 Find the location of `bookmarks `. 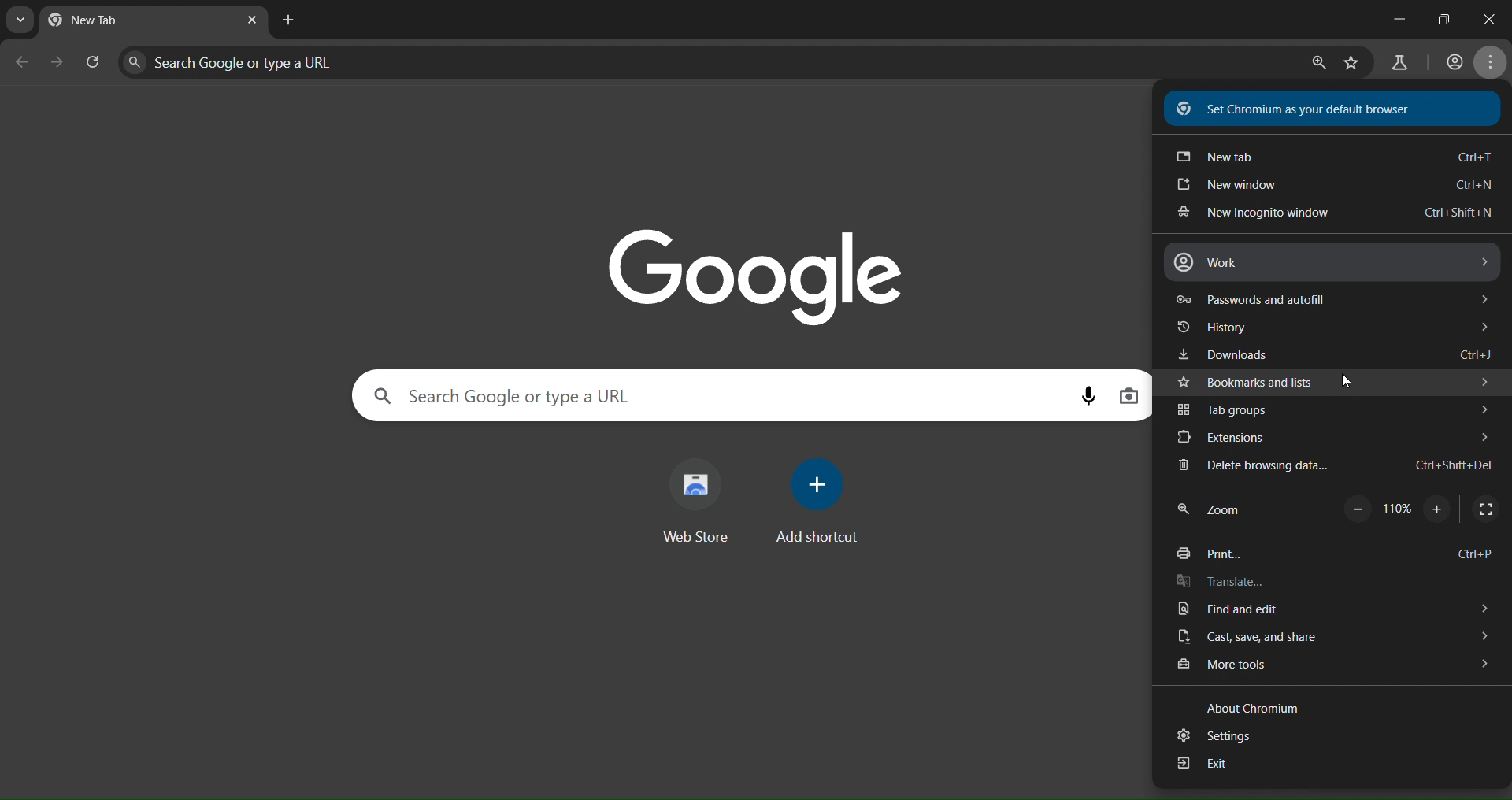

bookmarks  is located at coordinates (1337, 381).